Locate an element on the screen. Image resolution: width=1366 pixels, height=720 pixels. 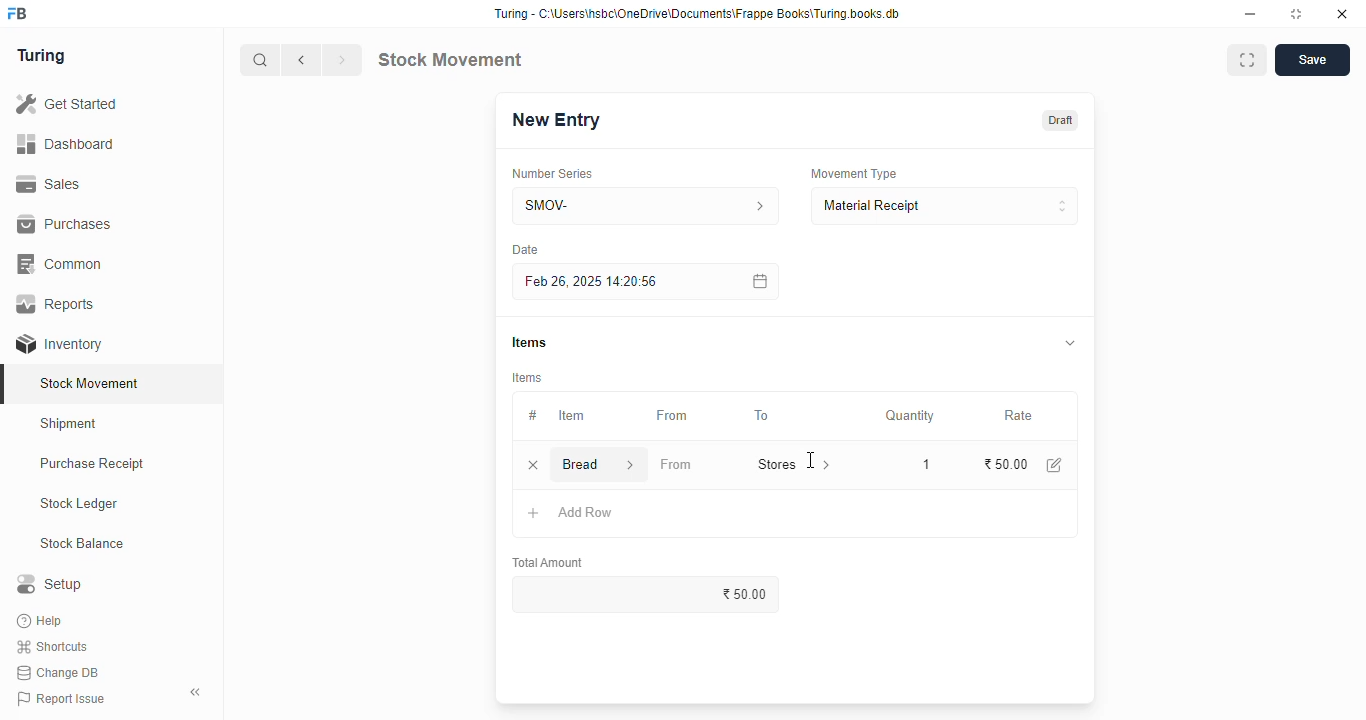
FB-logo is located at coordinates (17, 13).